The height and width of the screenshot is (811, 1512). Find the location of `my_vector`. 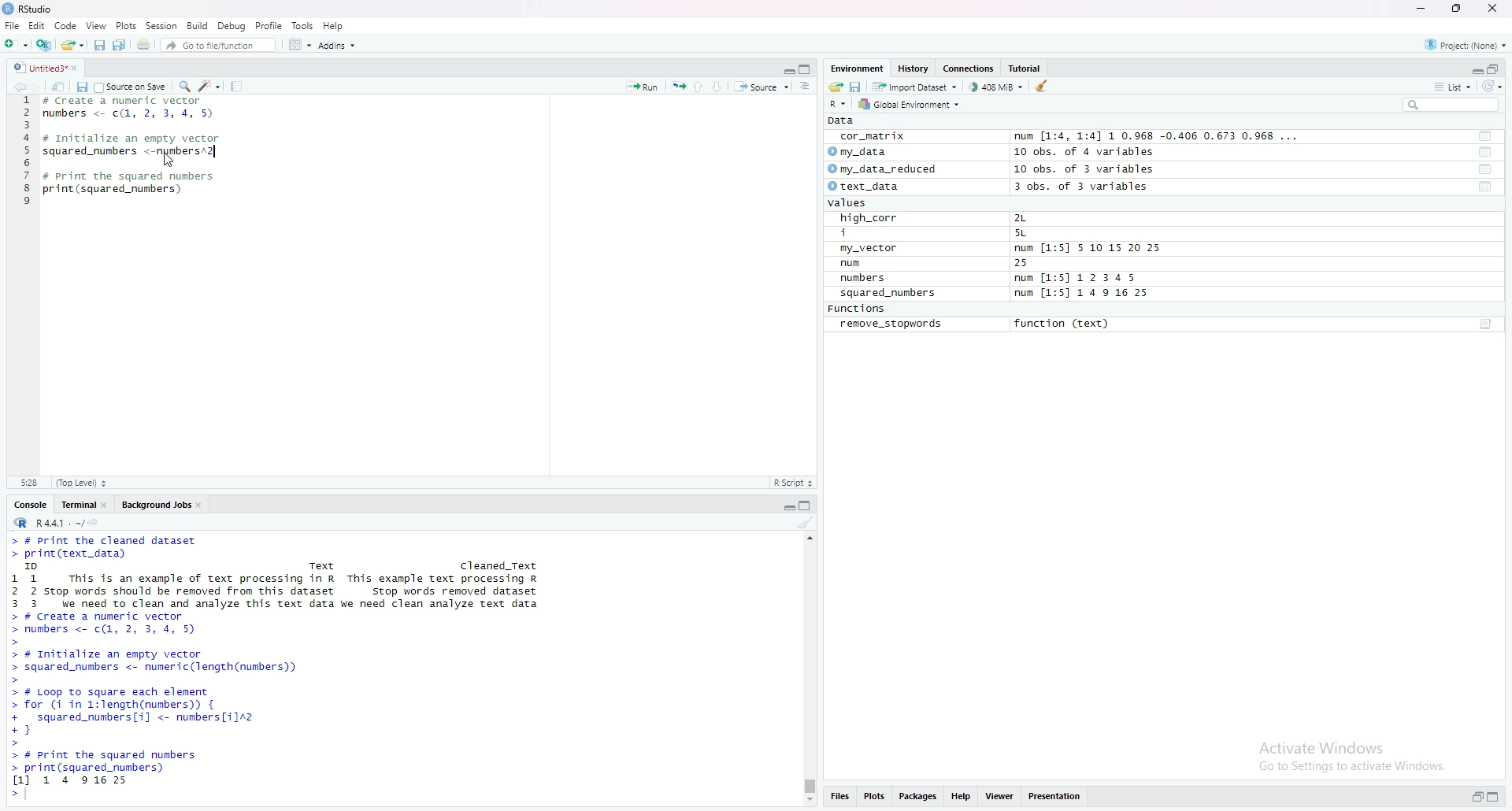

my_vector is located at coordinates (870, 249).